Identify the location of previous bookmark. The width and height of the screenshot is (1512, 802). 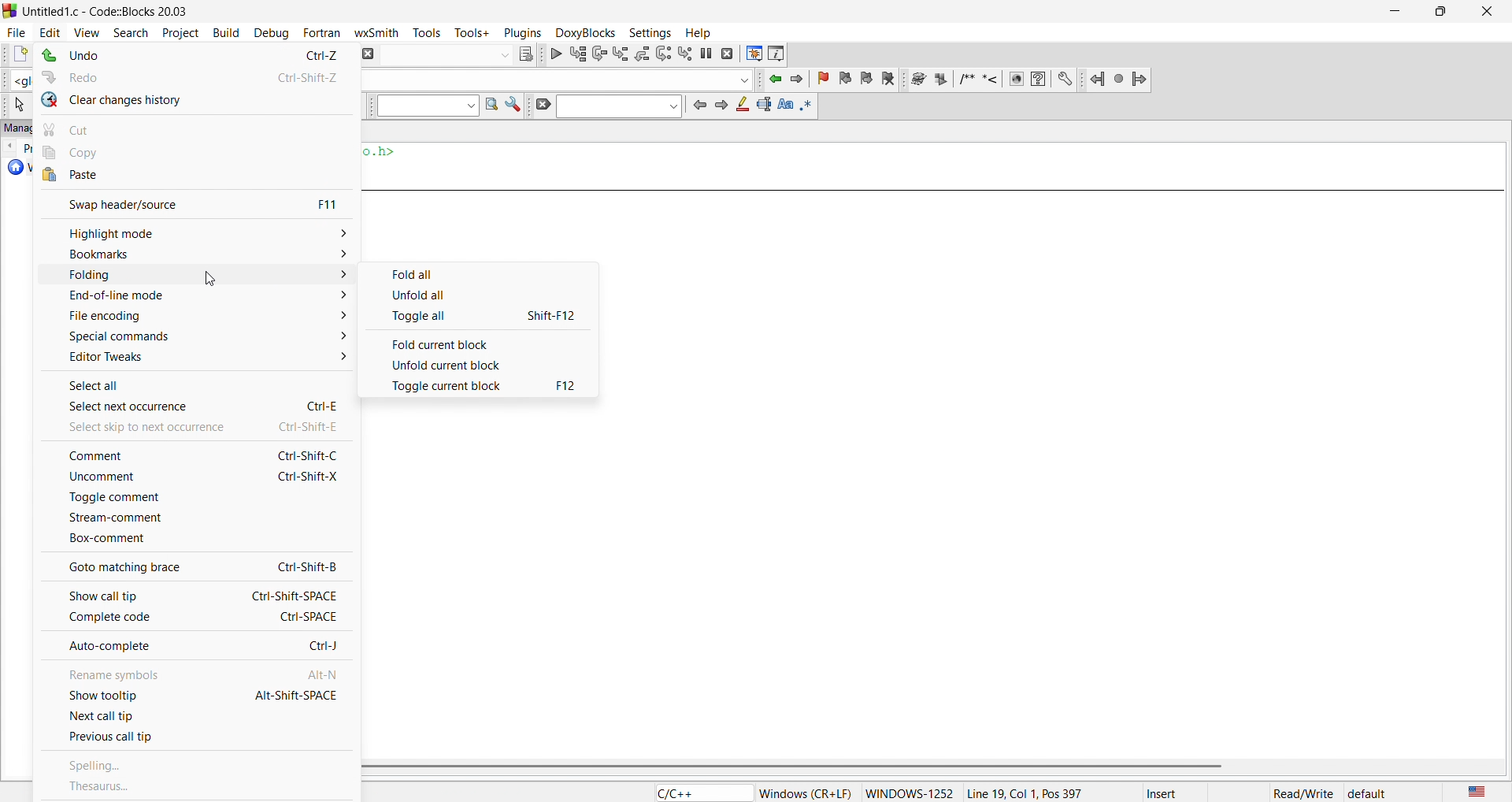
(847, 76).